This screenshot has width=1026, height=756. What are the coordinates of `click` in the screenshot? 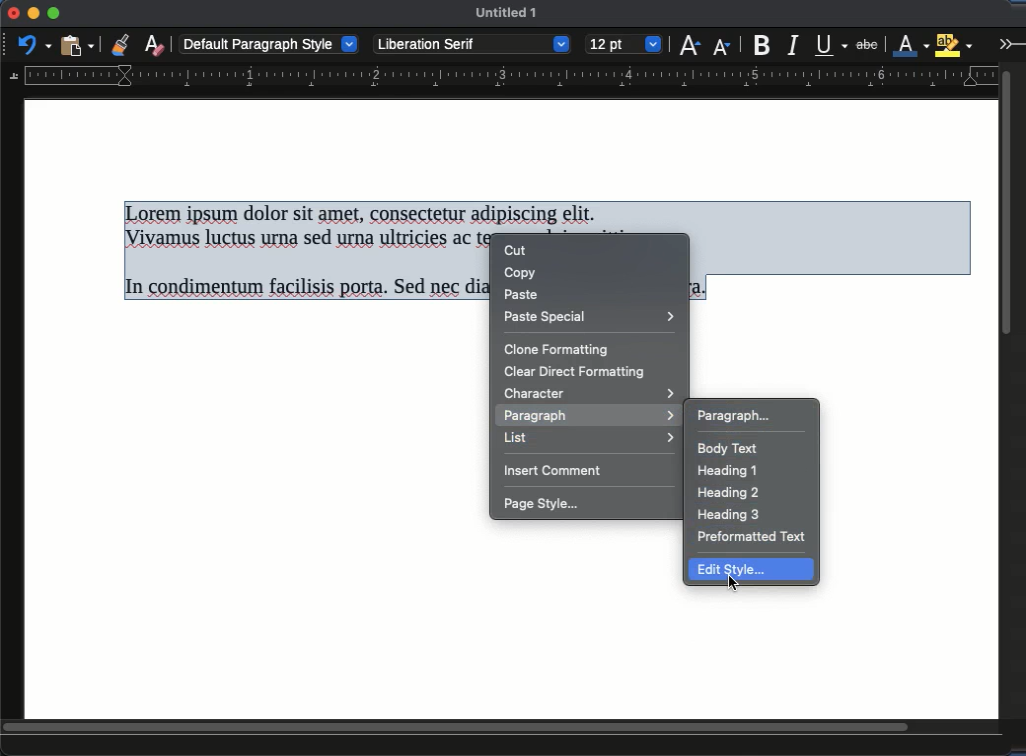 It's located at (735, 587).